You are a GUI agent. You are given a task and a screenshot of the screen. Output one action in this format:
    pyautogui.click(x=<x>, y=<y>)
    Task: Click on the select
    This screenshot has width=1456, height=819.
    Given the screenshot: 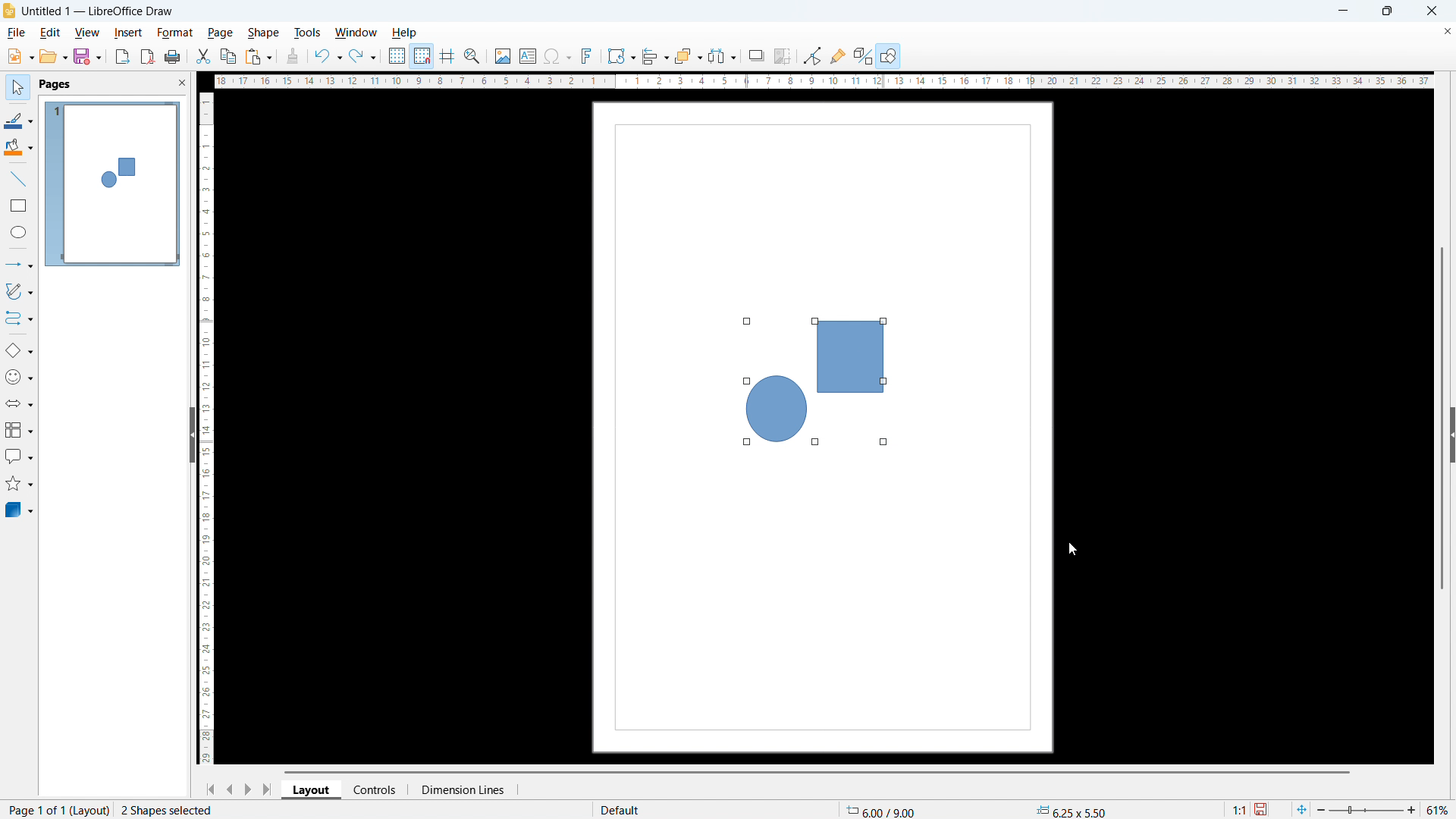 What is the action you would take?
    pyautogui.click(x=17, y=88)
    